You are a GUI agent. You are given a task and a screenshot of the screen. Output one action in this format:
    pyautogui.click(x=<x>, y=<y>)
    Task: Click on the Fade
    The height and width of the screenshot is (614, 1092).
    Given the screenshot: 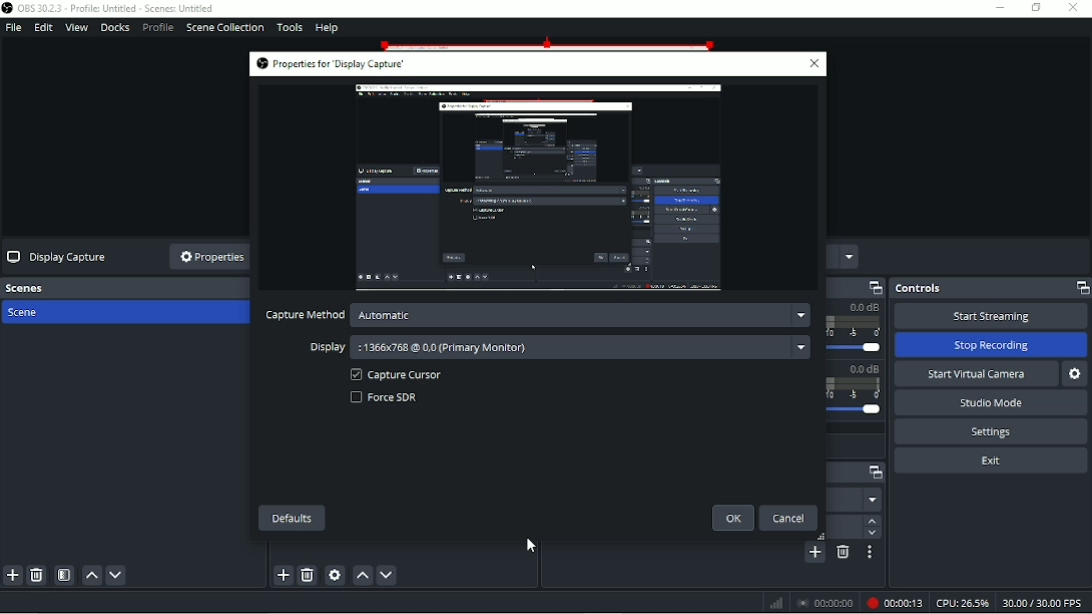 What is the action you would take?
    pyautogui.click(x=856, y=499)
    